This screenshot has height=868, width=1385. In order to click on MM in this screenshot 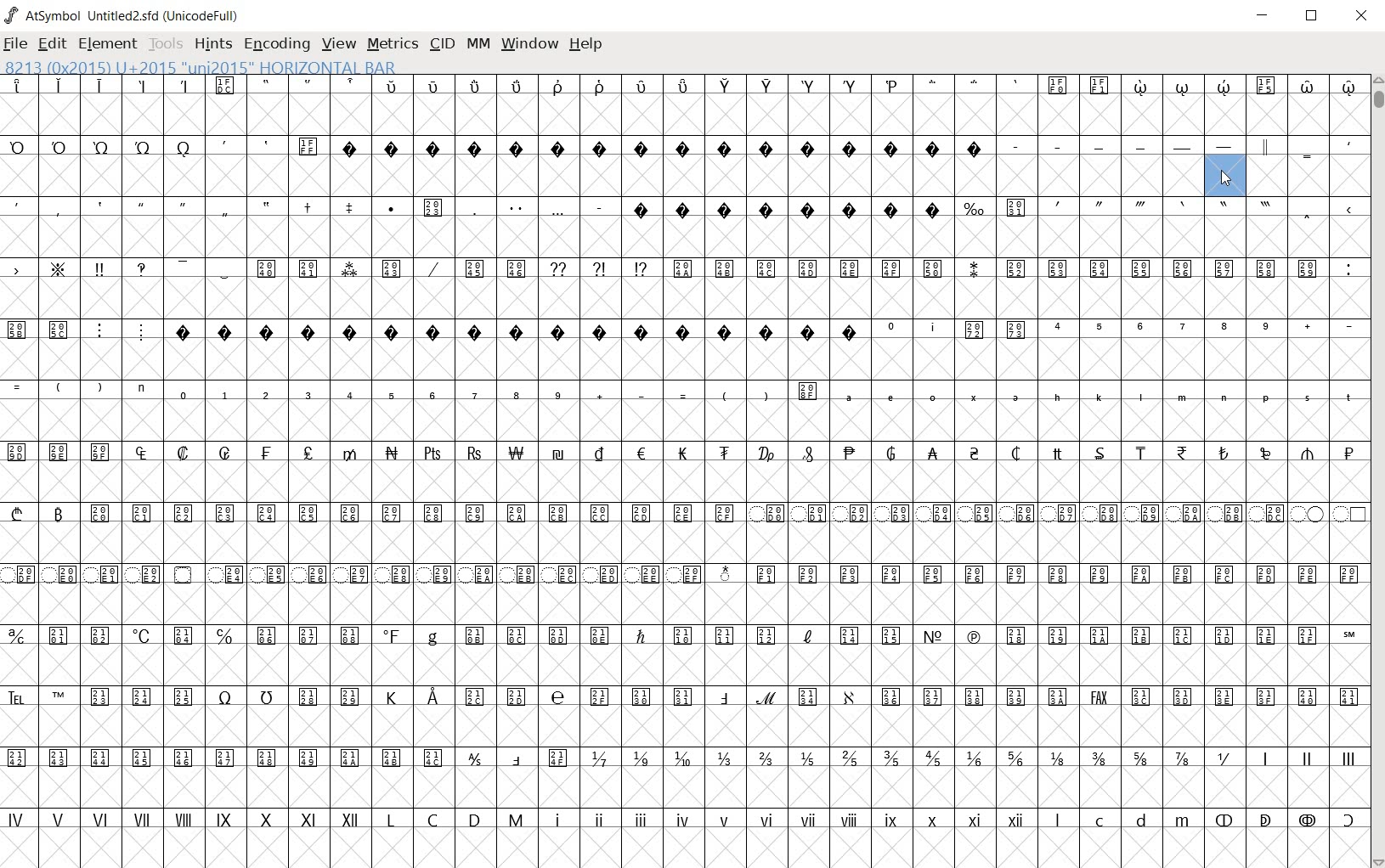, I will do `click(479, 45)`.